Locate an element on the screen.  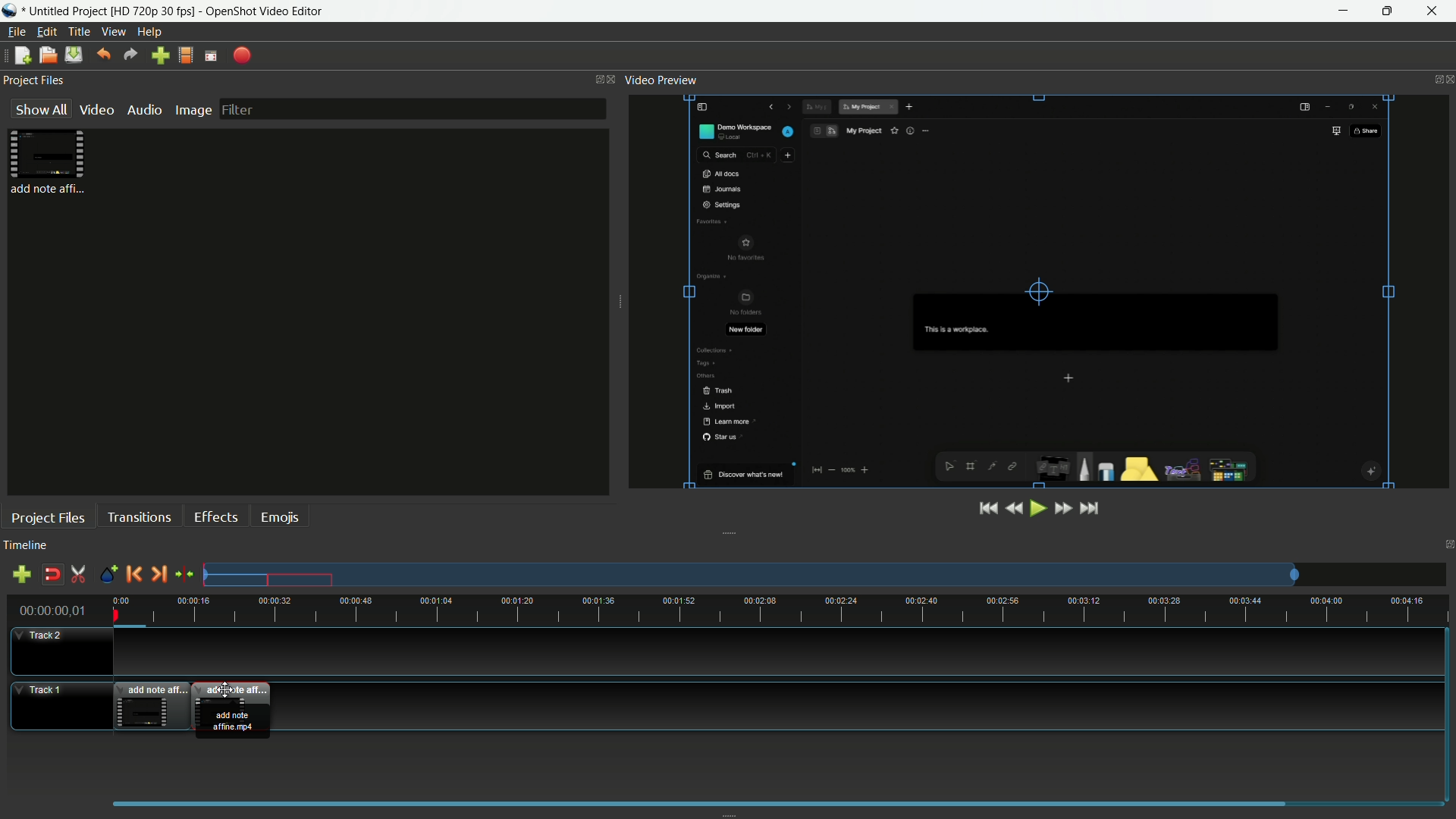
edit menu is located at coordinates (48, 32).